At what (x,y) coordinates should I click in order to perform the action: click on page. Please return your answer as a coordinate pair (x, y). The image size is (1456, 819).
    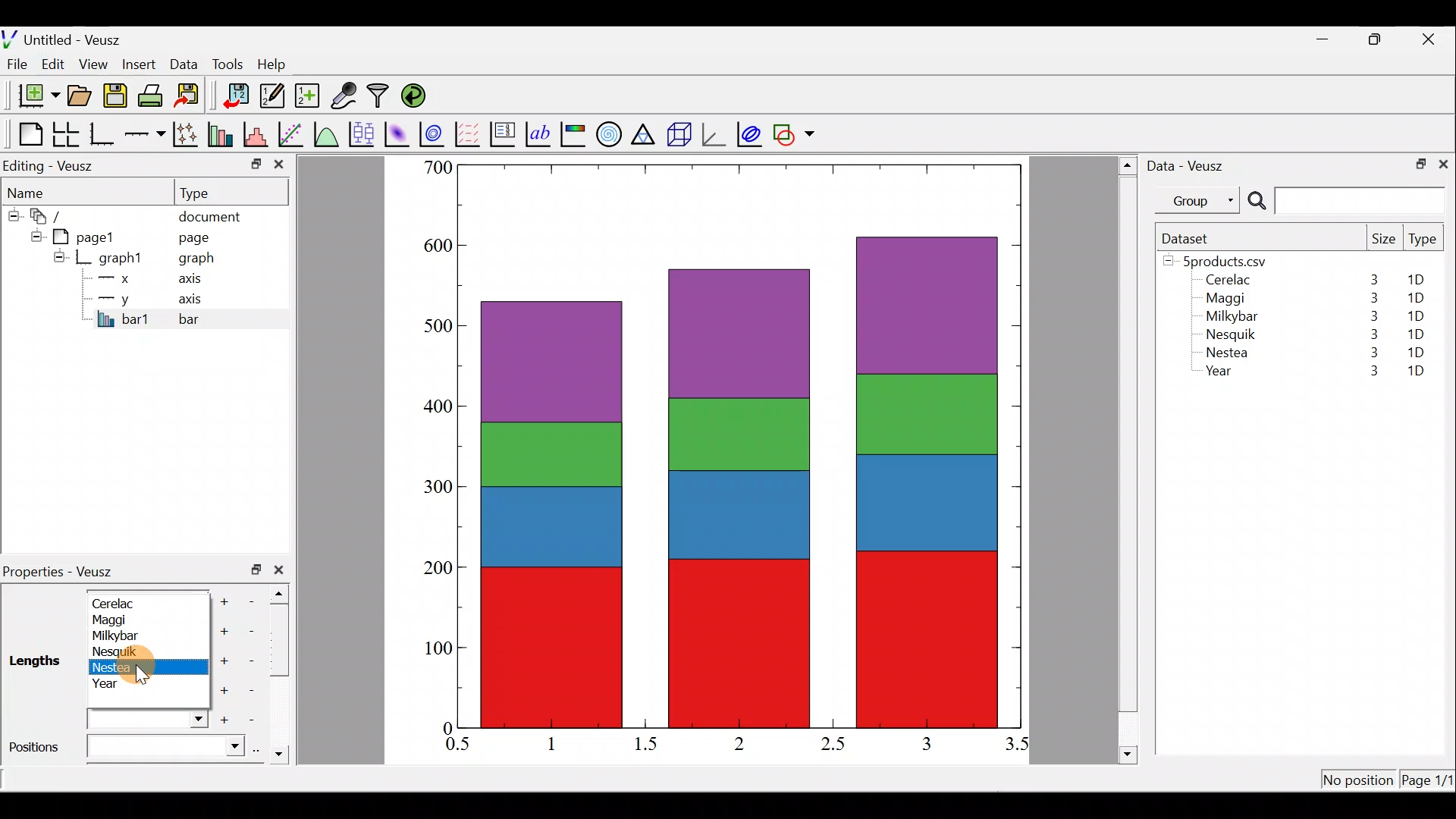
    Looking at the image, I should click on (193, 237).